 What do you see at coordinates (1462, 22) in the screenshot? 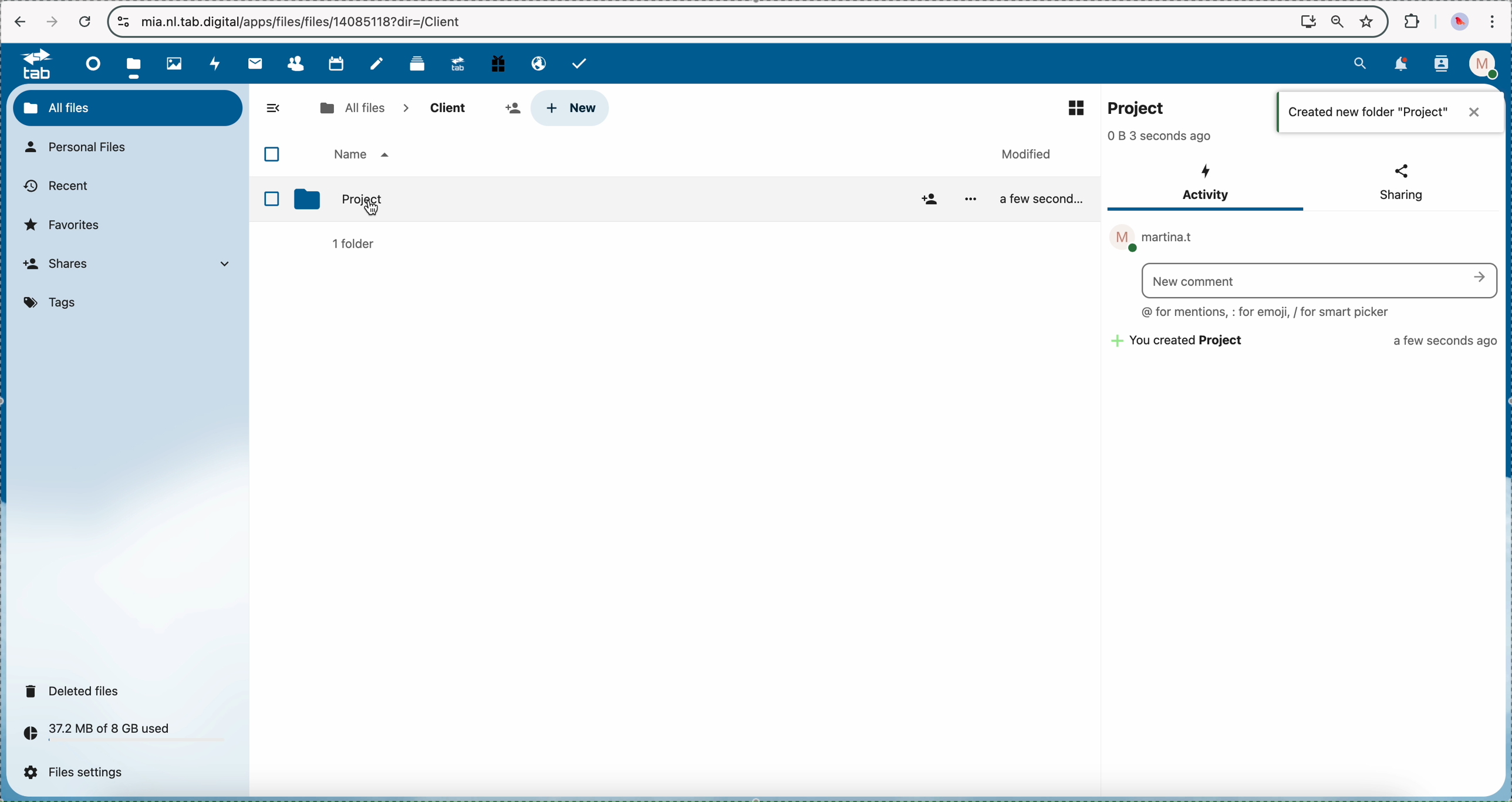
I see `profile picture` at bounding box center [1462, 22].